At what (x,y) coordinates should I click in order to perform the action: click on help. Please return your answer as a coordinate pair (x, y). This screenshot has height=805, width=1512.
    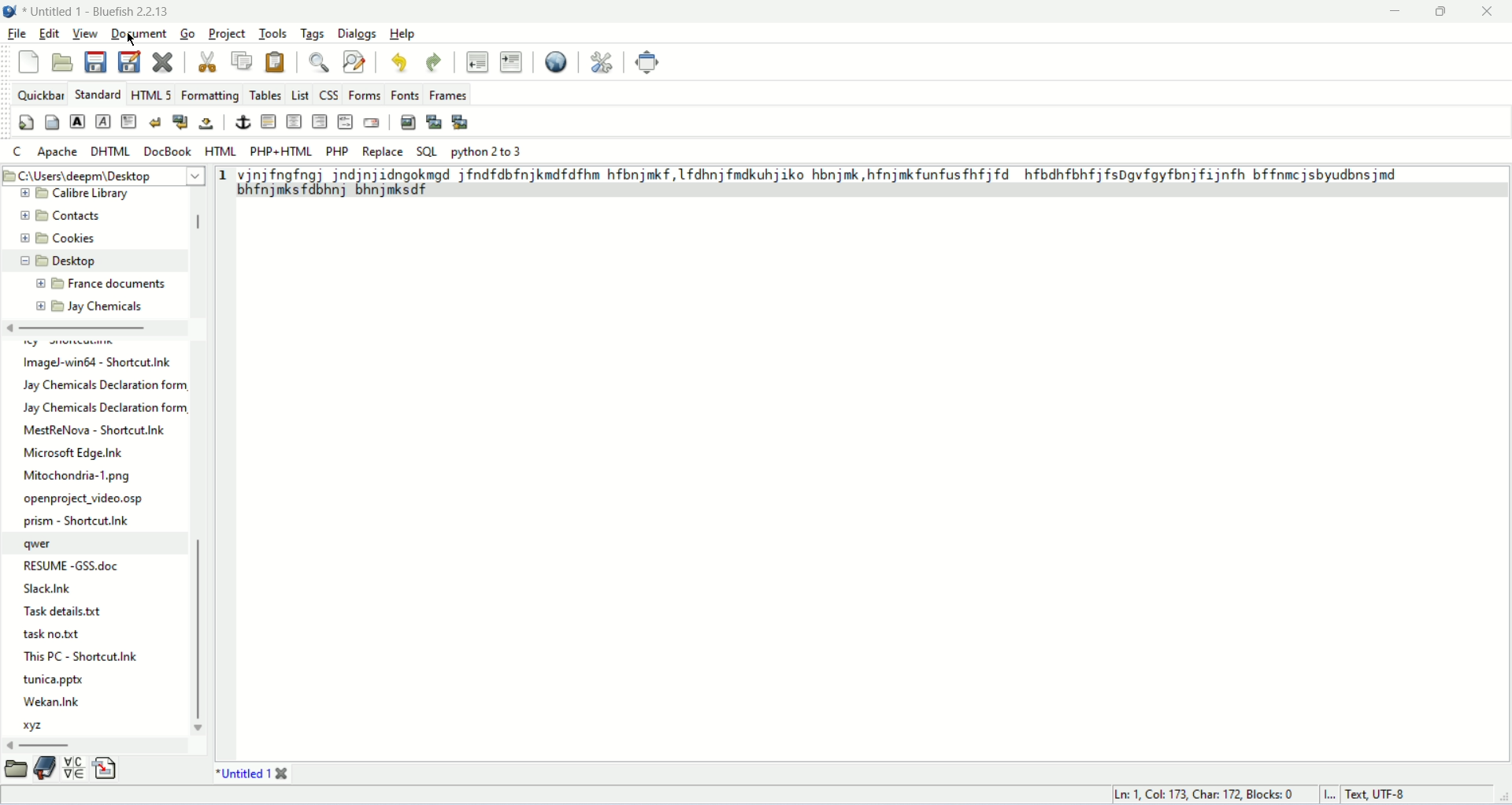
    Looking at the image, I should click on (405, 34).